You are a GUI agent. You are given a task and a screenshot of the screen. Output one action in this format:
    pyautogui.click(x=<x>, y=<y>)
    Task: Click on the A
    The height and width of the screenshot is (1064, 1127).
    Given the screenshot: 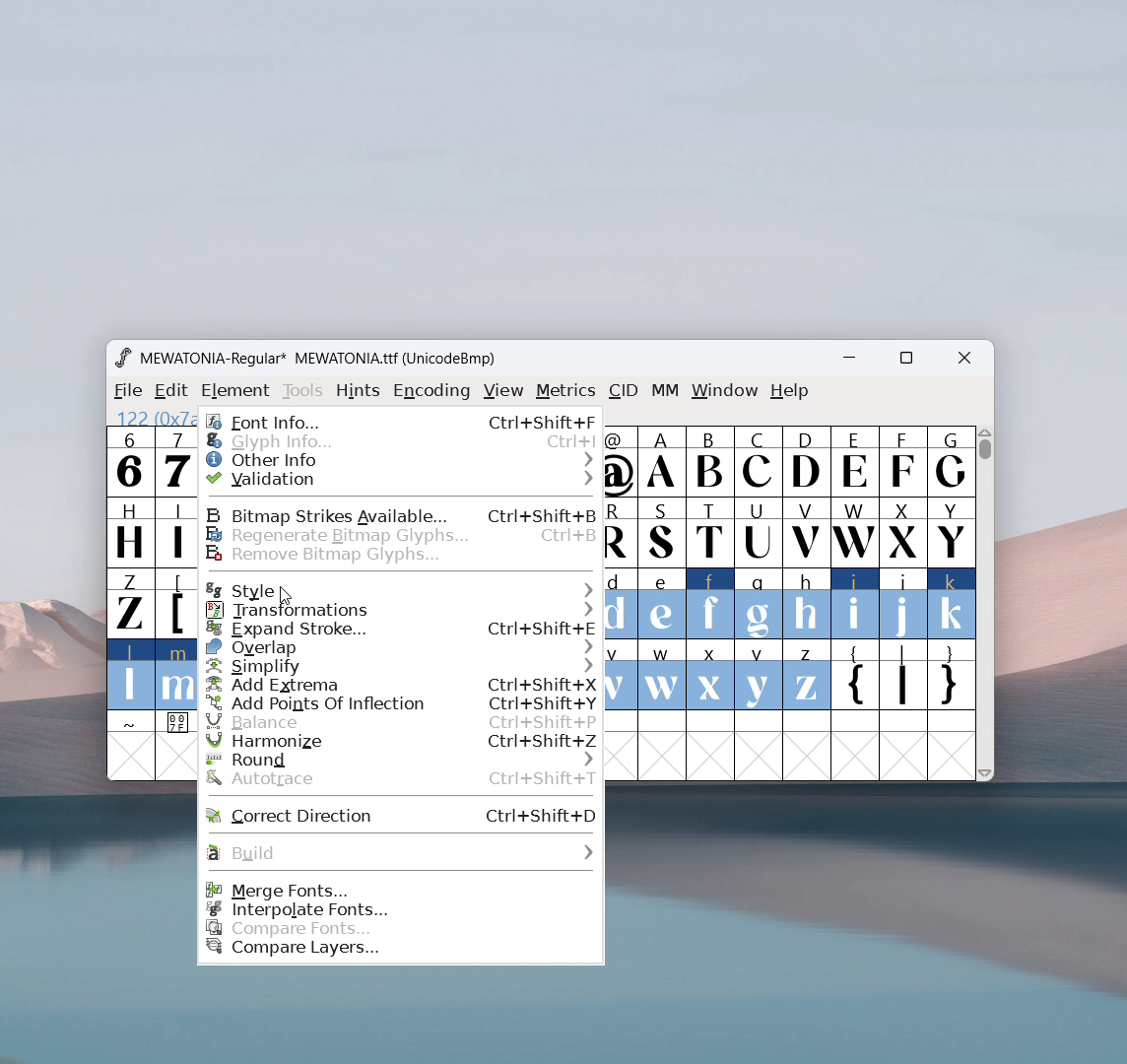 What is the action you would take?
    pyautogui.click(x=663, y=462)
    